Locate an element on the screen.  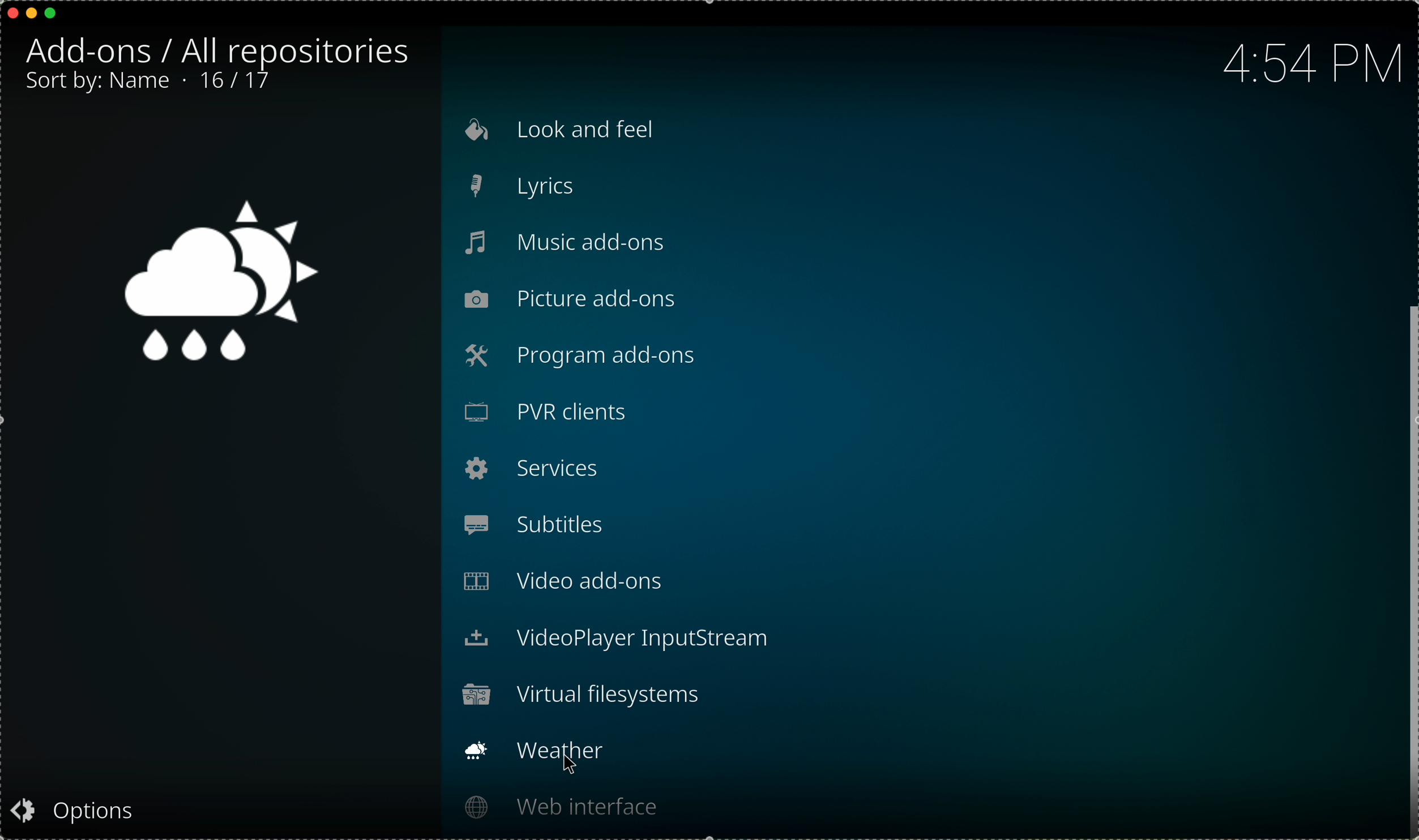
subtitles is located at coordinates (565, 523).